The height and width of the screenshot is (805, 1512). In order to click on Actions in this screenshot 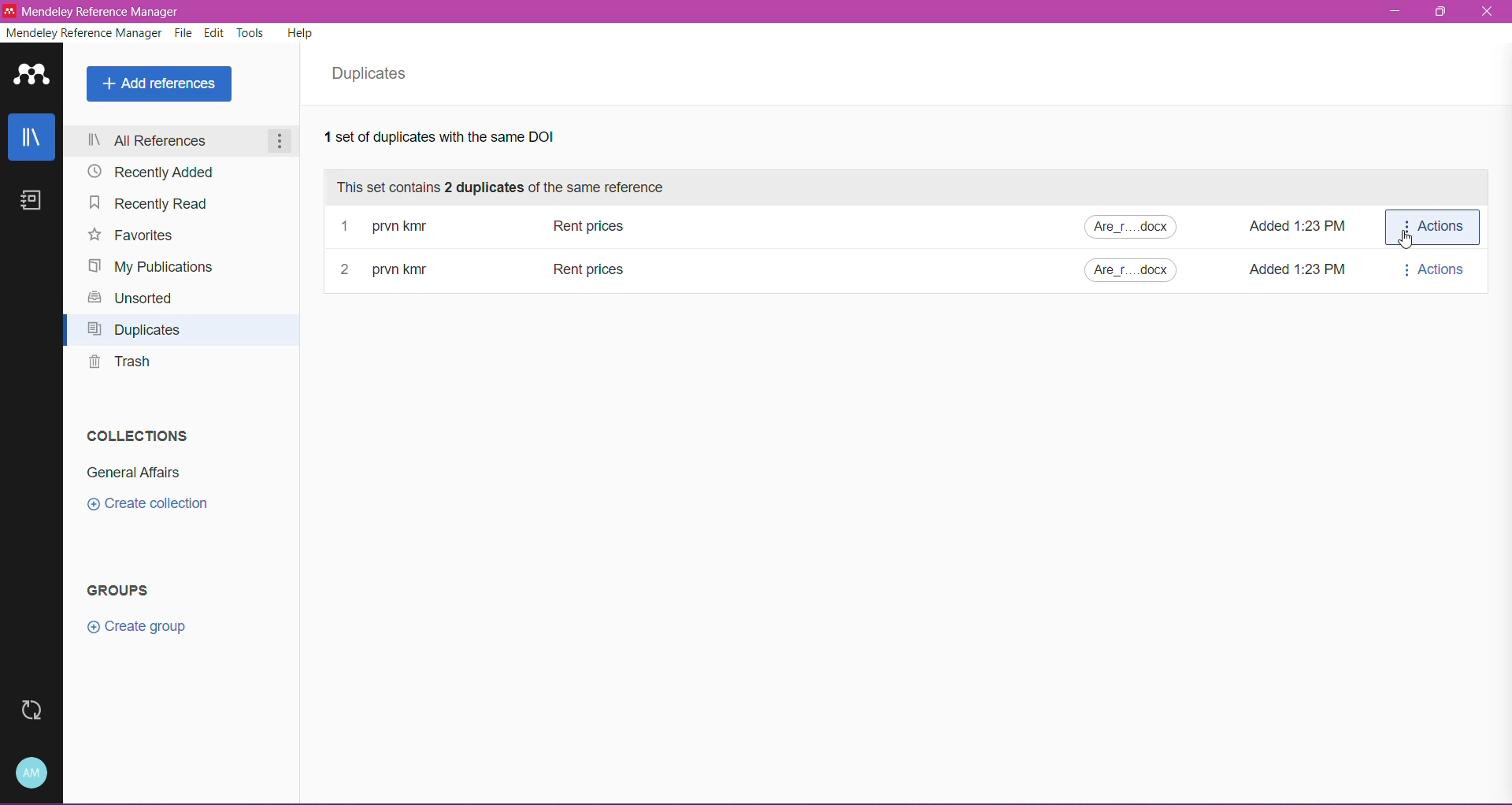, I will do `click(1432, 227)`.